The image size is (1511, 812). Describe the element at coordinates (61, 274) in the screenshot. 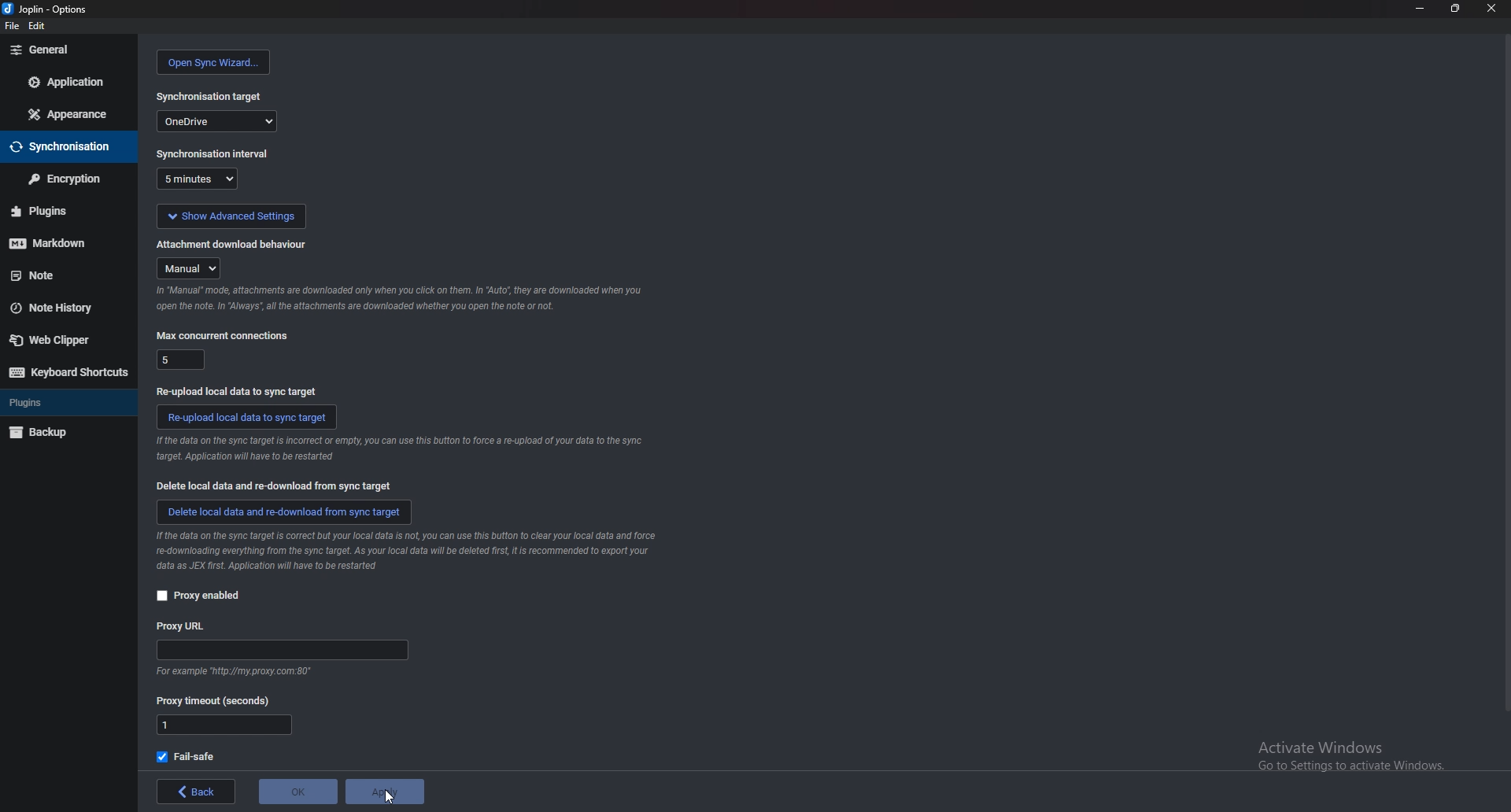

I see `note` at that location.